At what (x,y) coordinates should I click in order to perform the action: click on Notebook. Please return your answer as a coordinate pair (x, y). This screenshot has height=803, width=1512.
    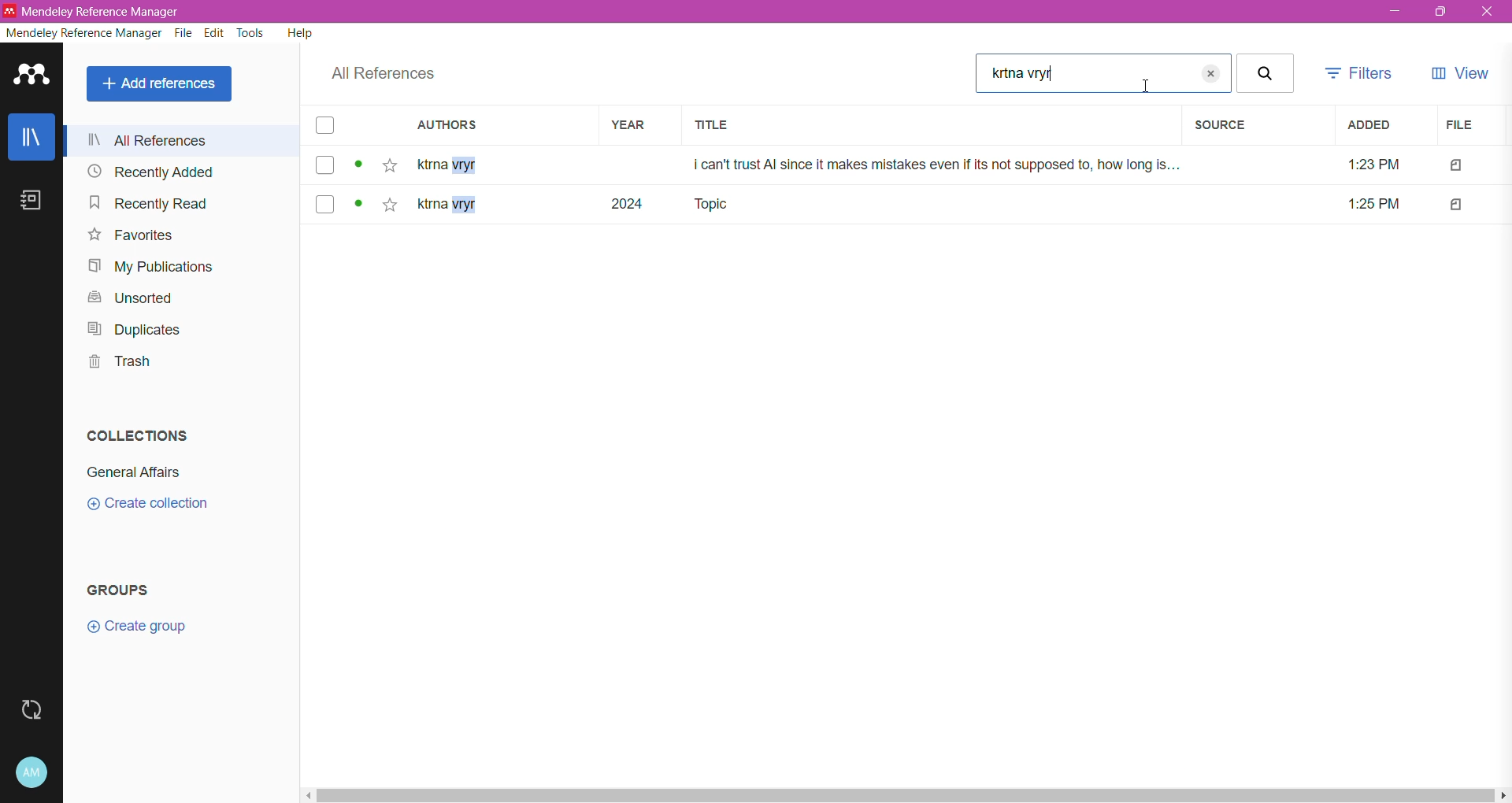
    Looking at the image, I should click on (33, 205).